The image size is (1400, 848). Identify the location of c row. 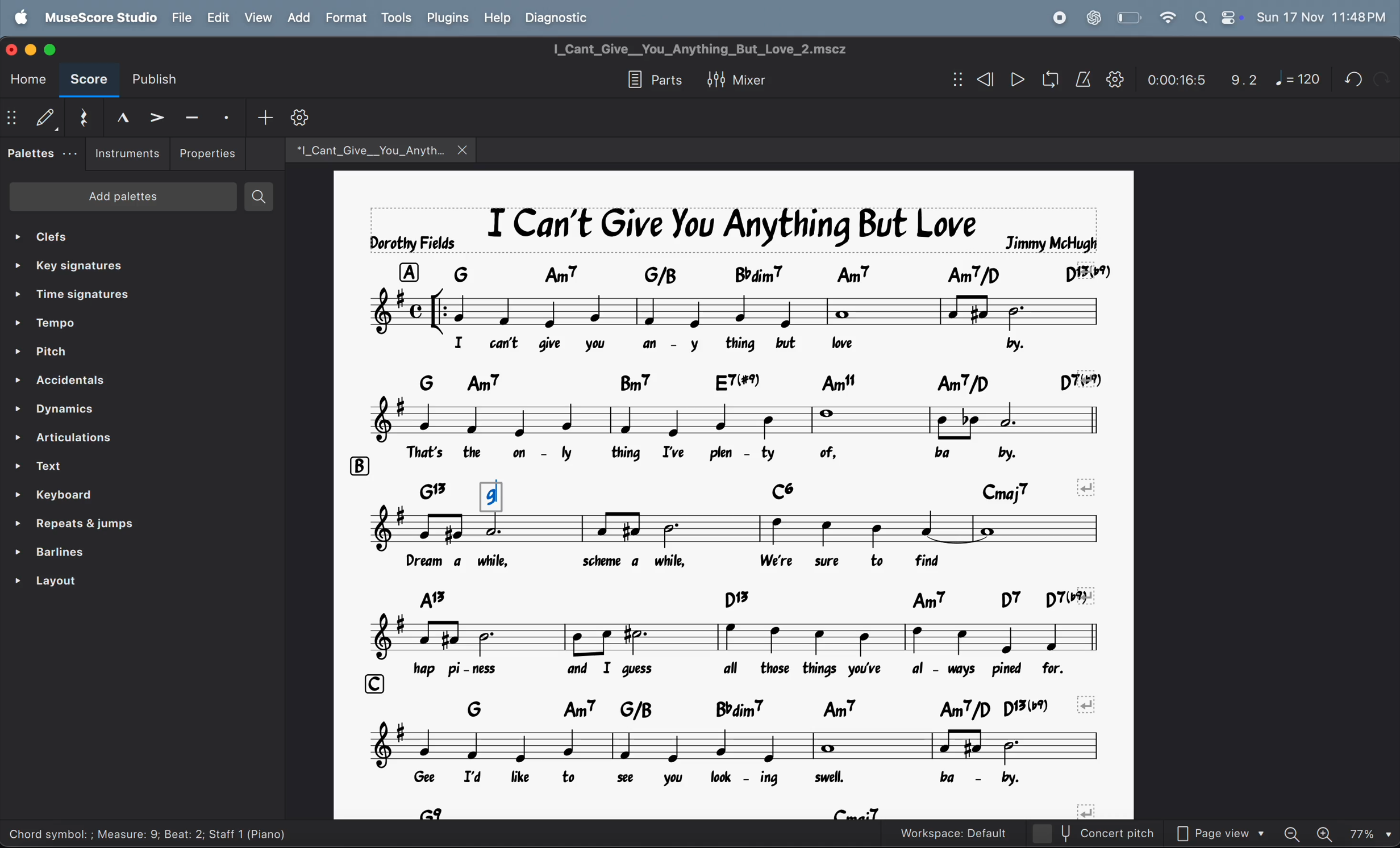
(371, 682).